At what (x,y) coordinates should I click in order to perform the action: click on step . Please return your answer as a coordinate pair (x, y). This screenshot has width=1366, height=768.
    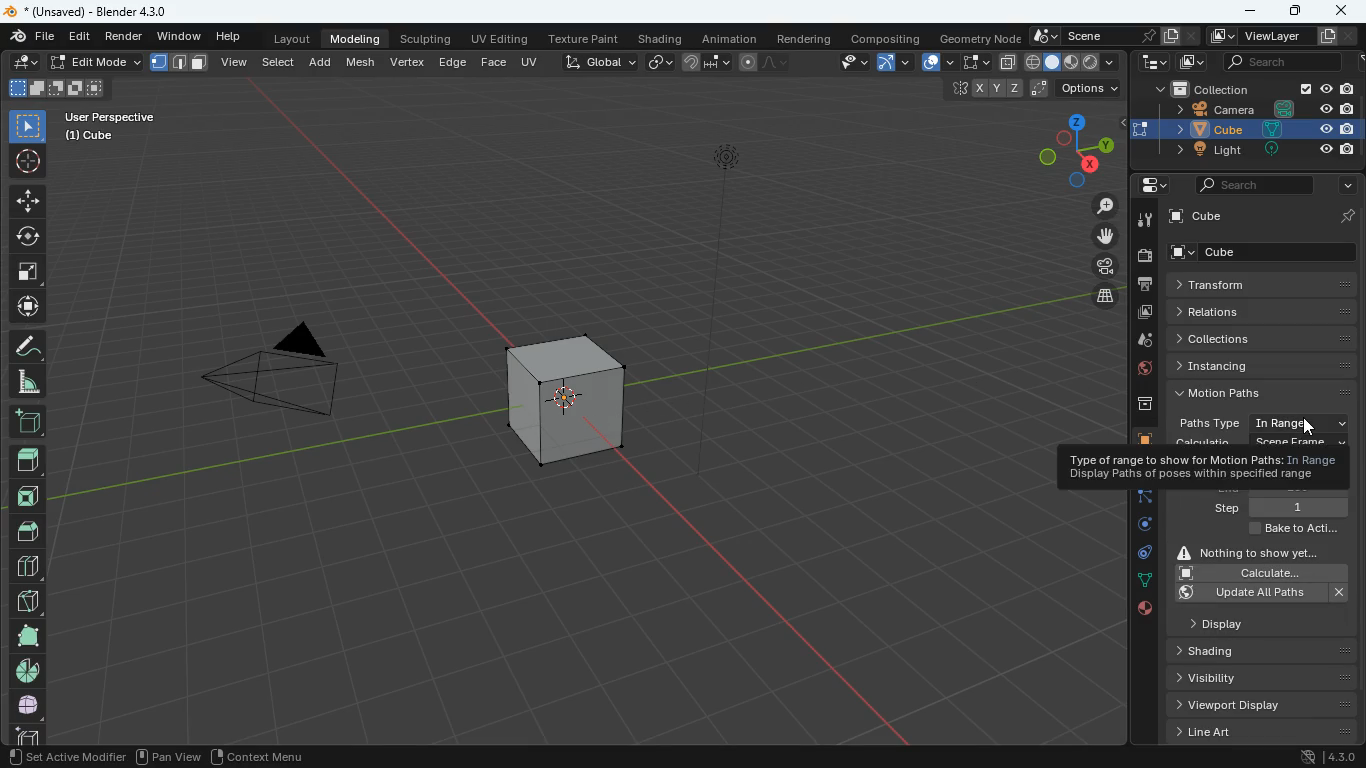
    Looking at the image, I should click on (1279, 507).